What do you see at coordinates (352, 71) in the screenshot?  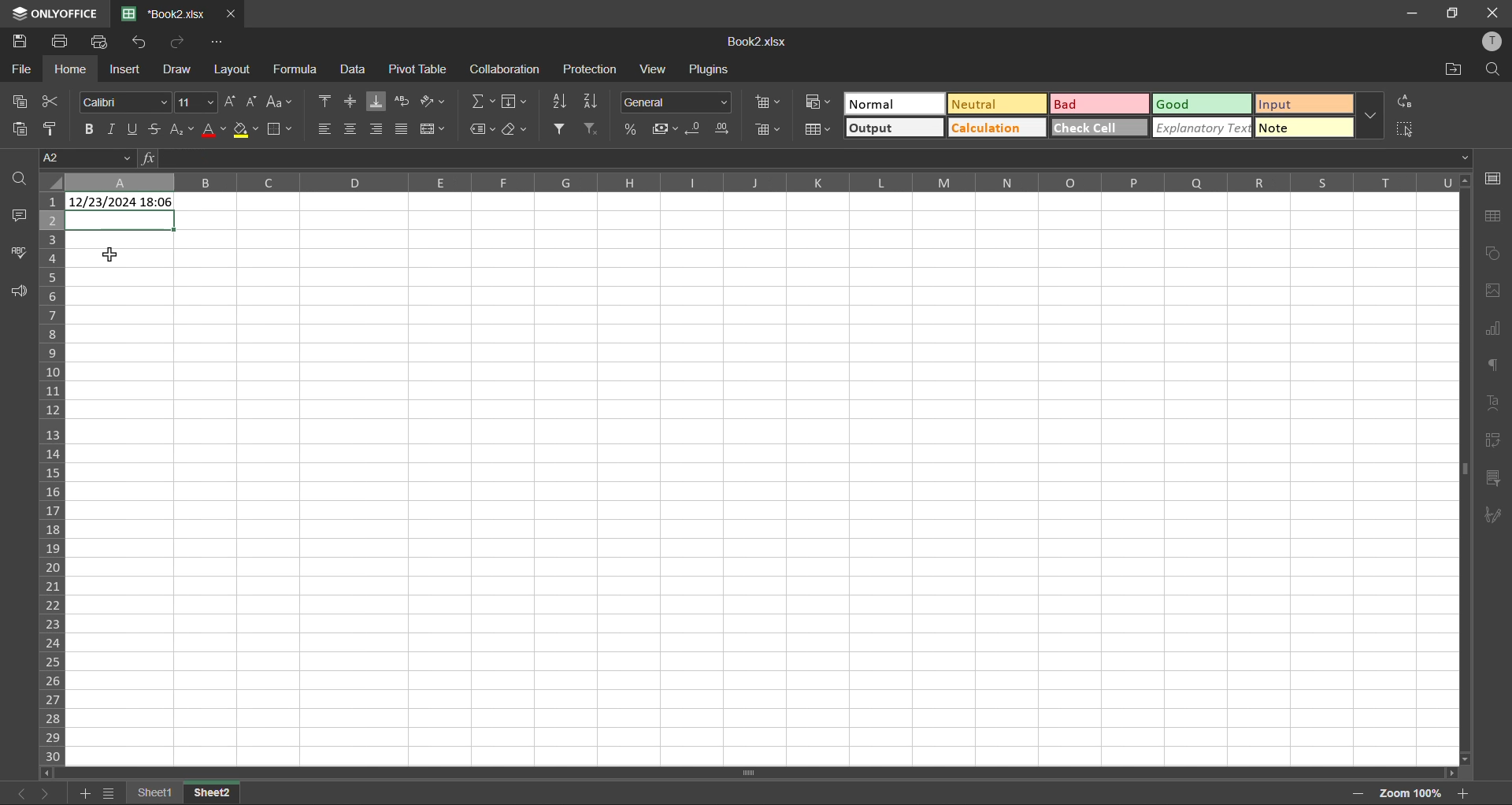 I see `data` at bounding box center [352, 71].